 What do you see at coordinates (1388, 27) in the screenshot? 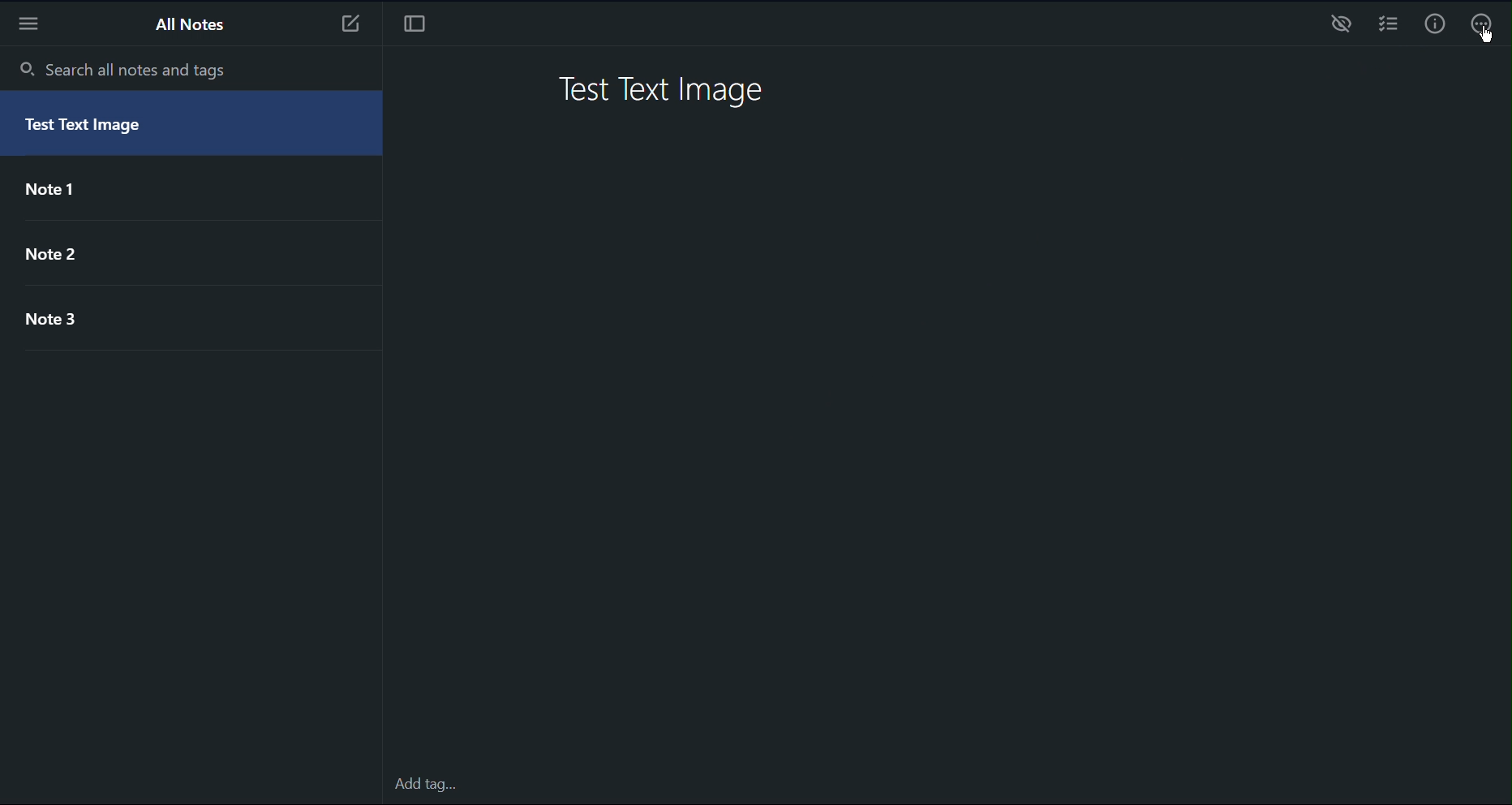
I see `Checklist` at bounding box center [1388, 27].